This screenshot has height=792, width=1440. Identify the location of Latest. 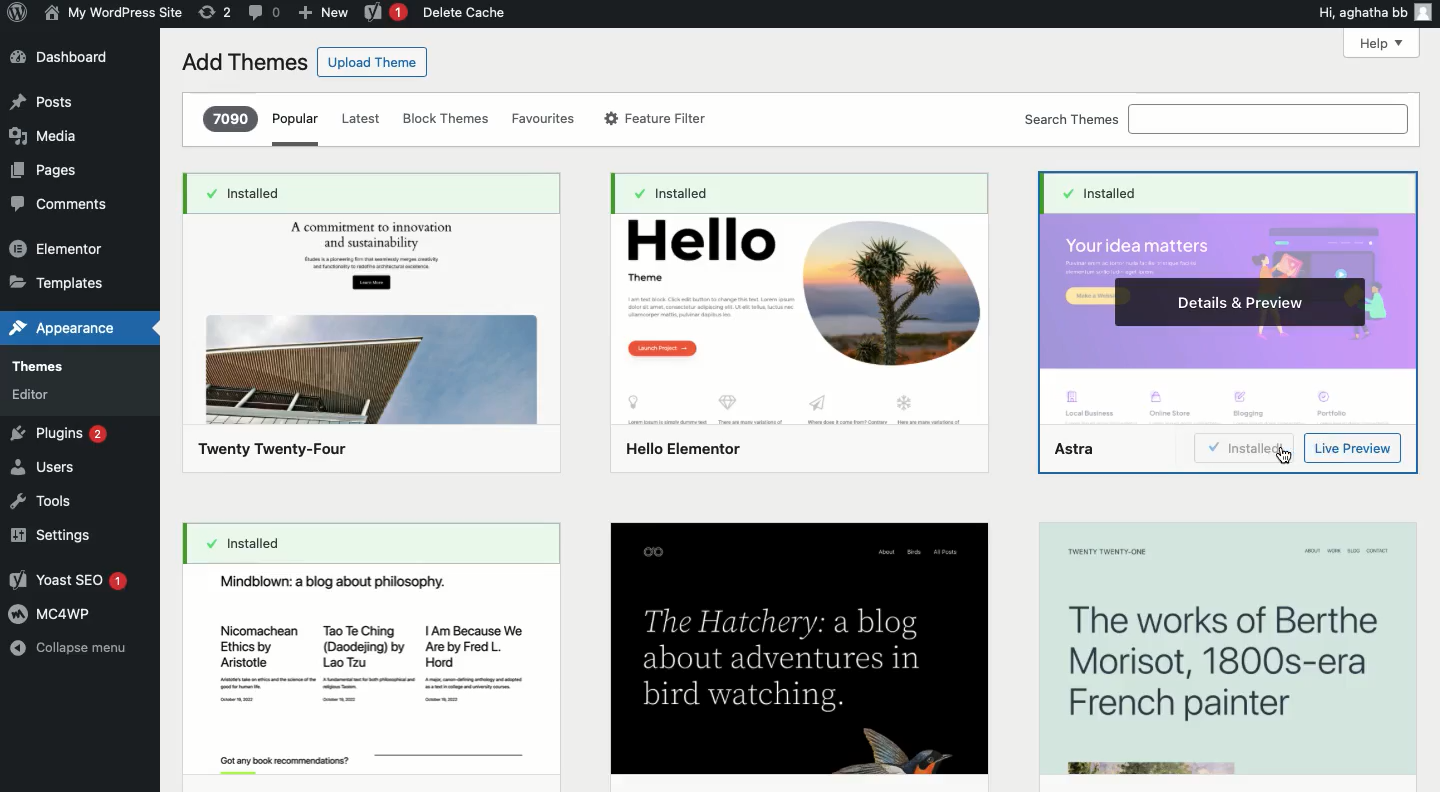
(361, 119).